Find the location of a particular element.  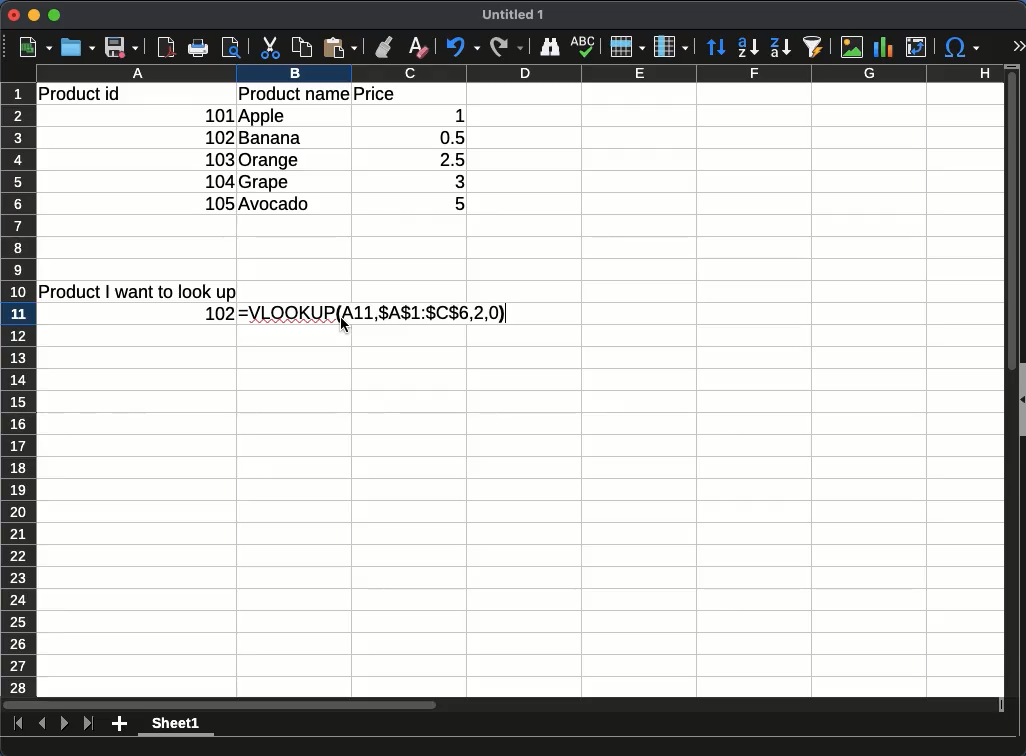

copy is located at coordinates (302, 47).